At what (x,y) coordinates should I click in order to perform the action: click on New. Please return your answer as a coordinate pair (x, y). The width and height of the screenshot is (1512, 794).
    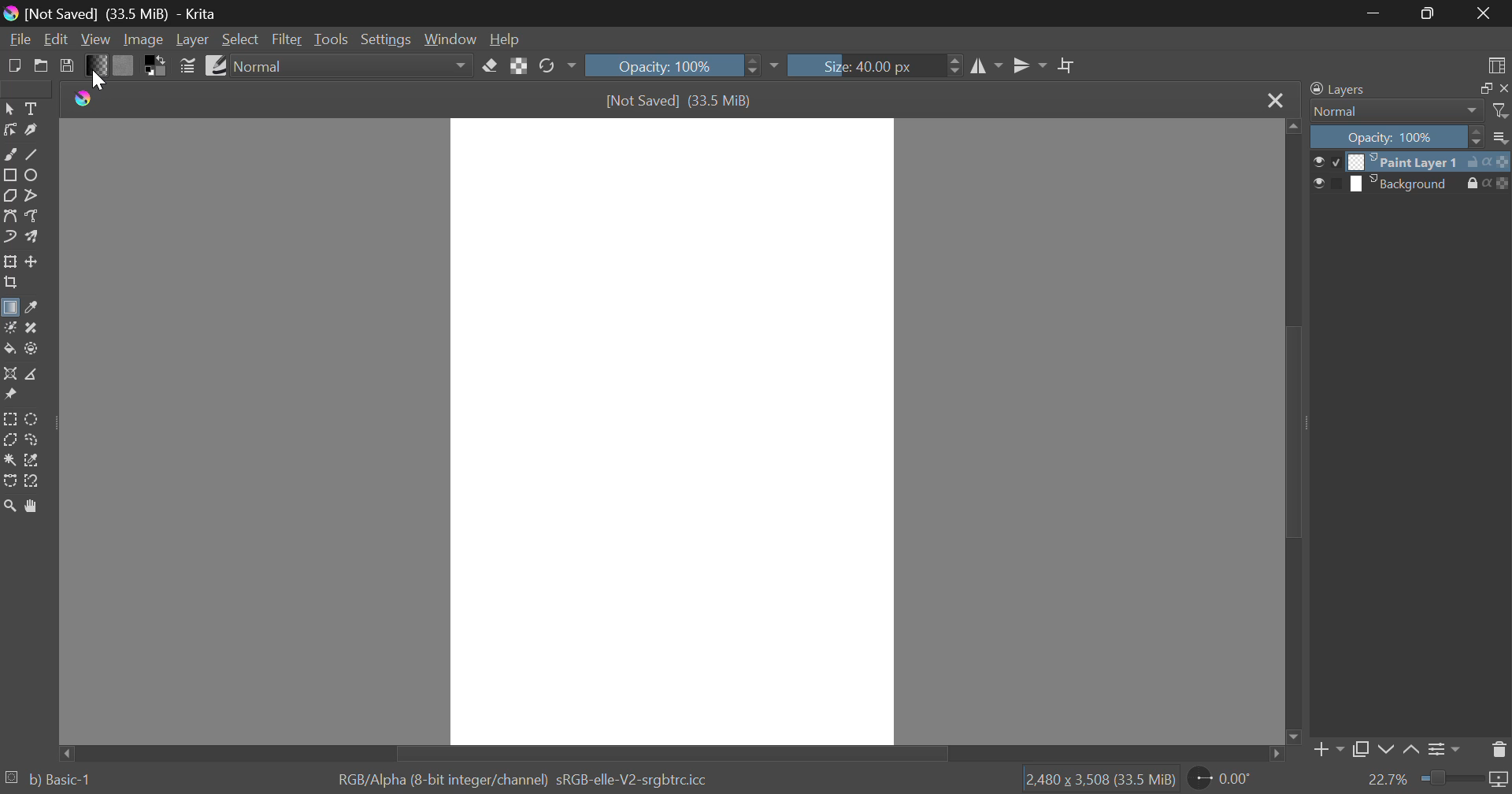
    Looking at the image, I should click on (13, 64).